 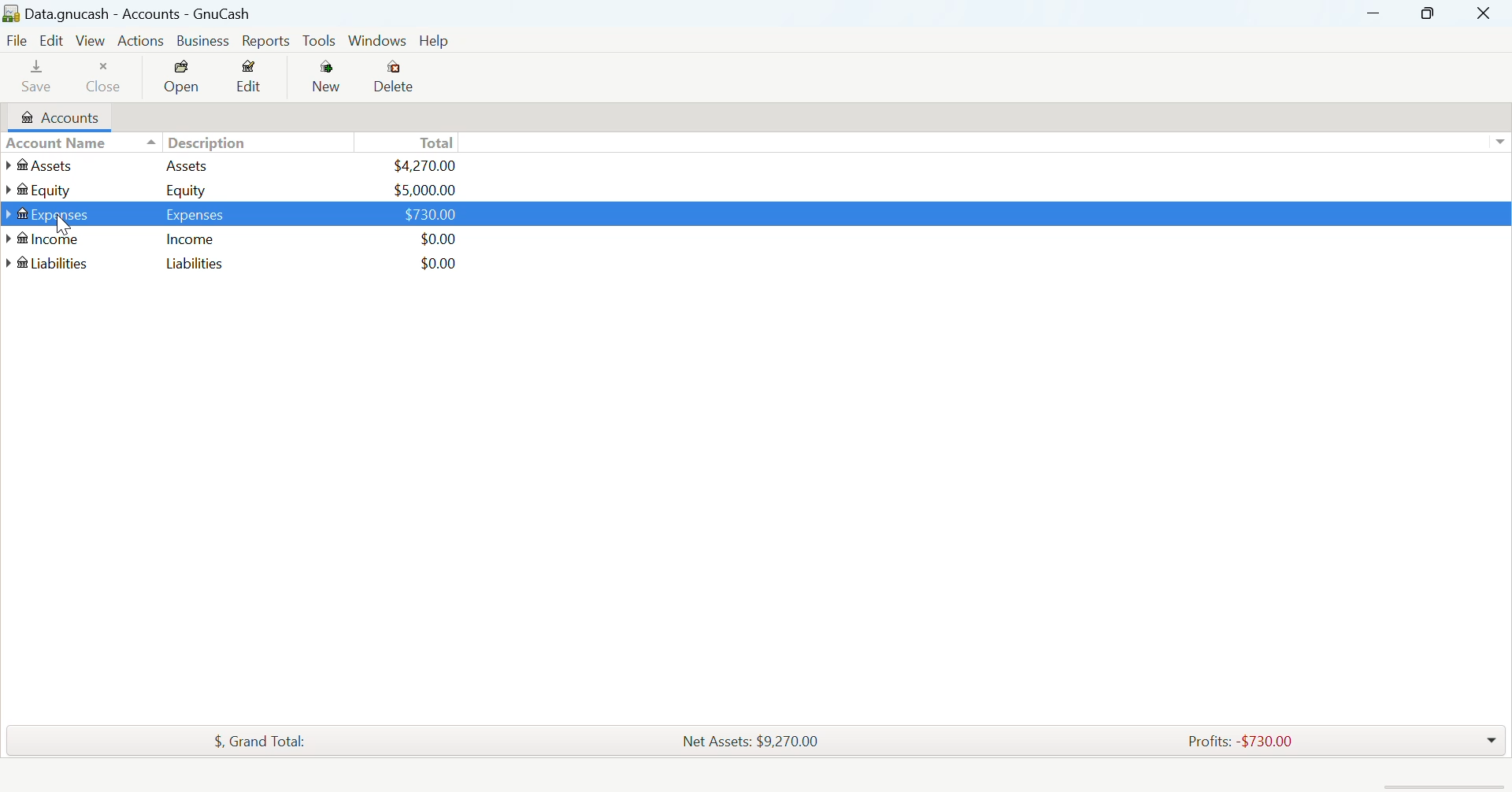 What do you see at coordinates (205, 41) in the screenshot?
I see `Business` at bounding box center [205, 41].